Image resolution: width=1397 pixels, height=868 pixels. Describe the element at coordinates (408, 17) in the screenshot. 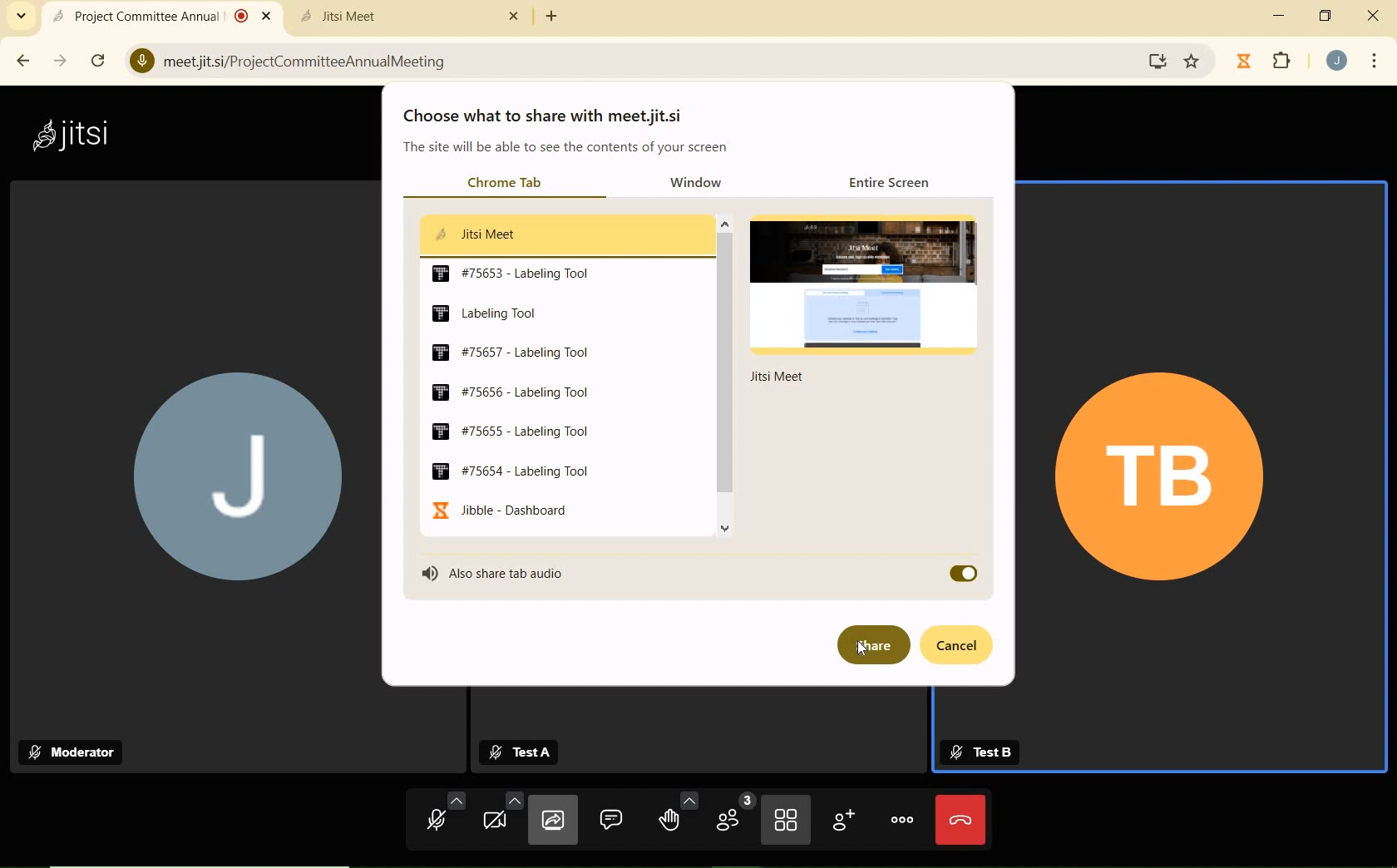

I see `Jitsi Meet` at that location.